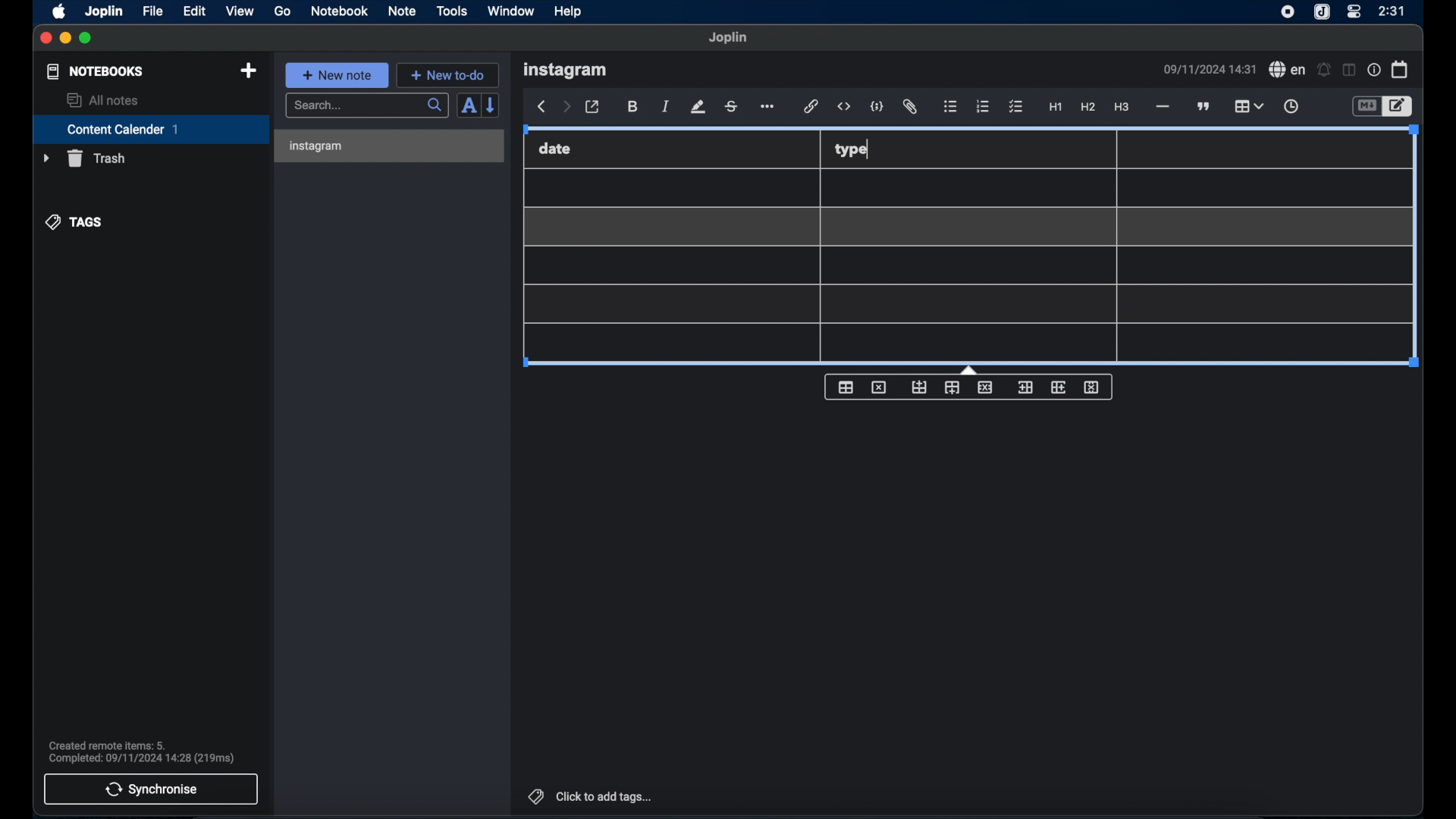 Image resolution: width=1456 pixels, height=819 pixels. What do you see at coordinates (984, 107) in the screenshot?
I see `numbered list` at bounding box center [984, 107].